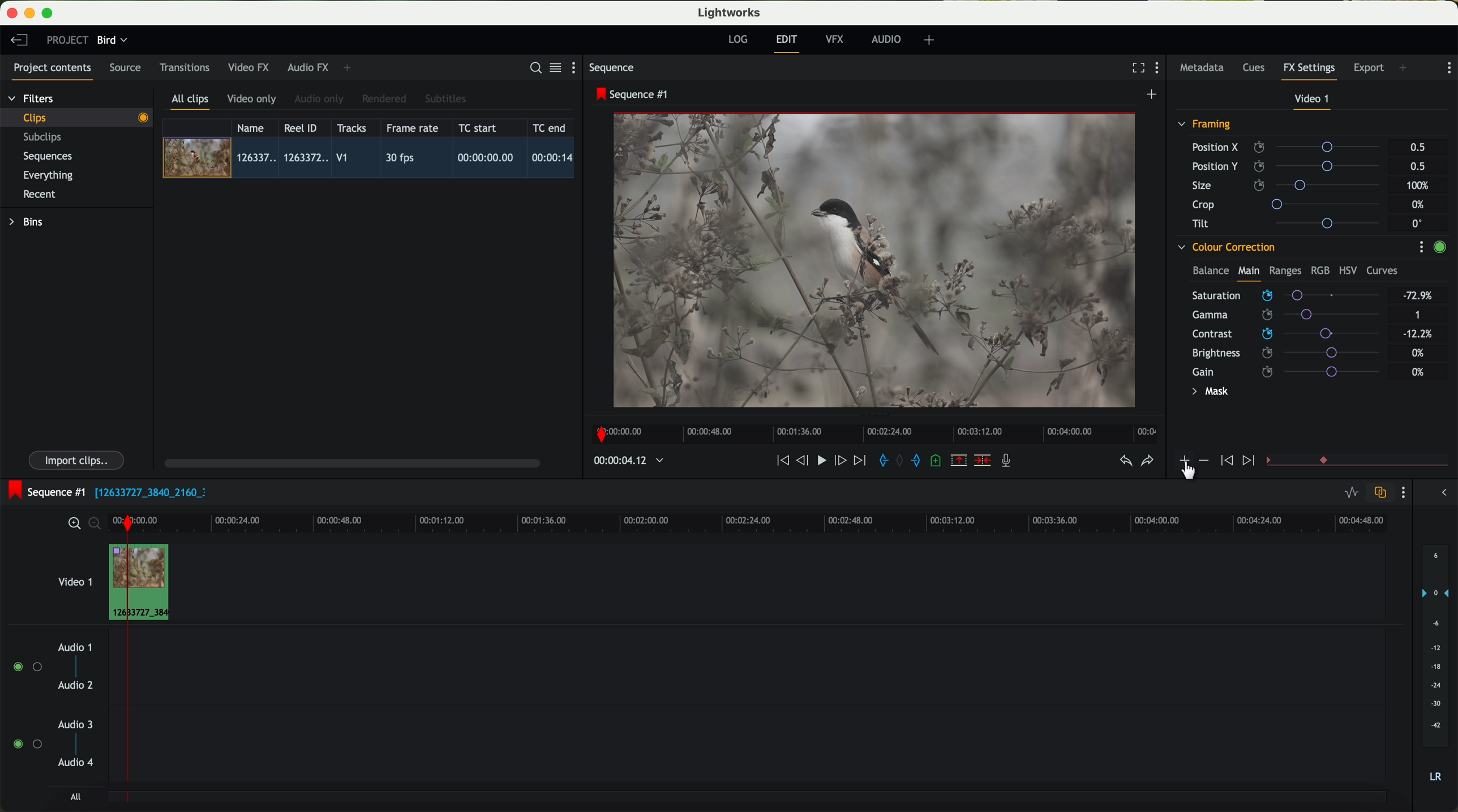  Describe the element at coordinates (804, 462) in the screenshot. I see `nudge one frame back` at that location.